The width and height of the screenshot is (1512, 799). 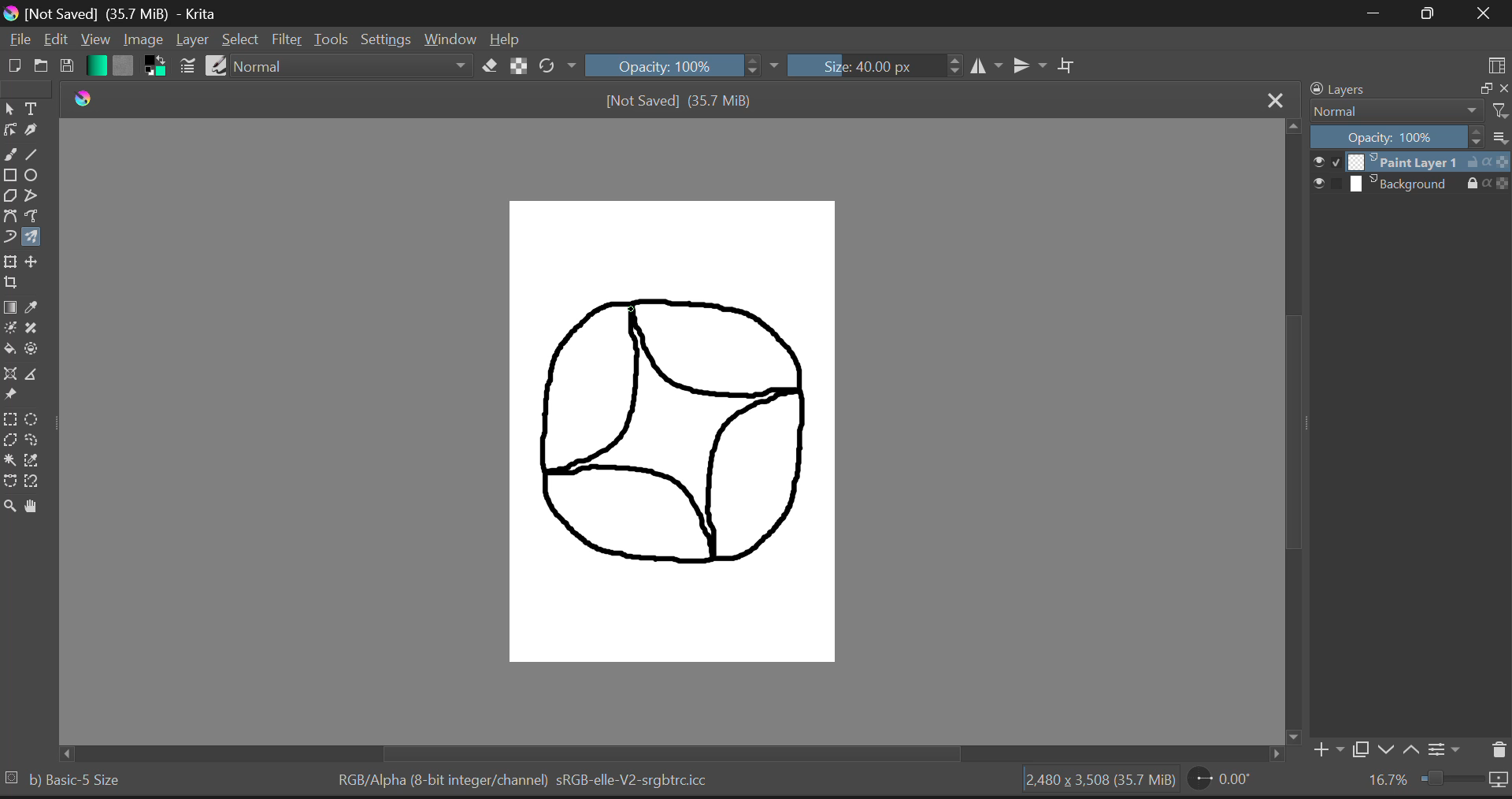 What do you see at coordinates (9, 396) in the screenshot?
I see `Reference Images` at bounding box center [9, 396].